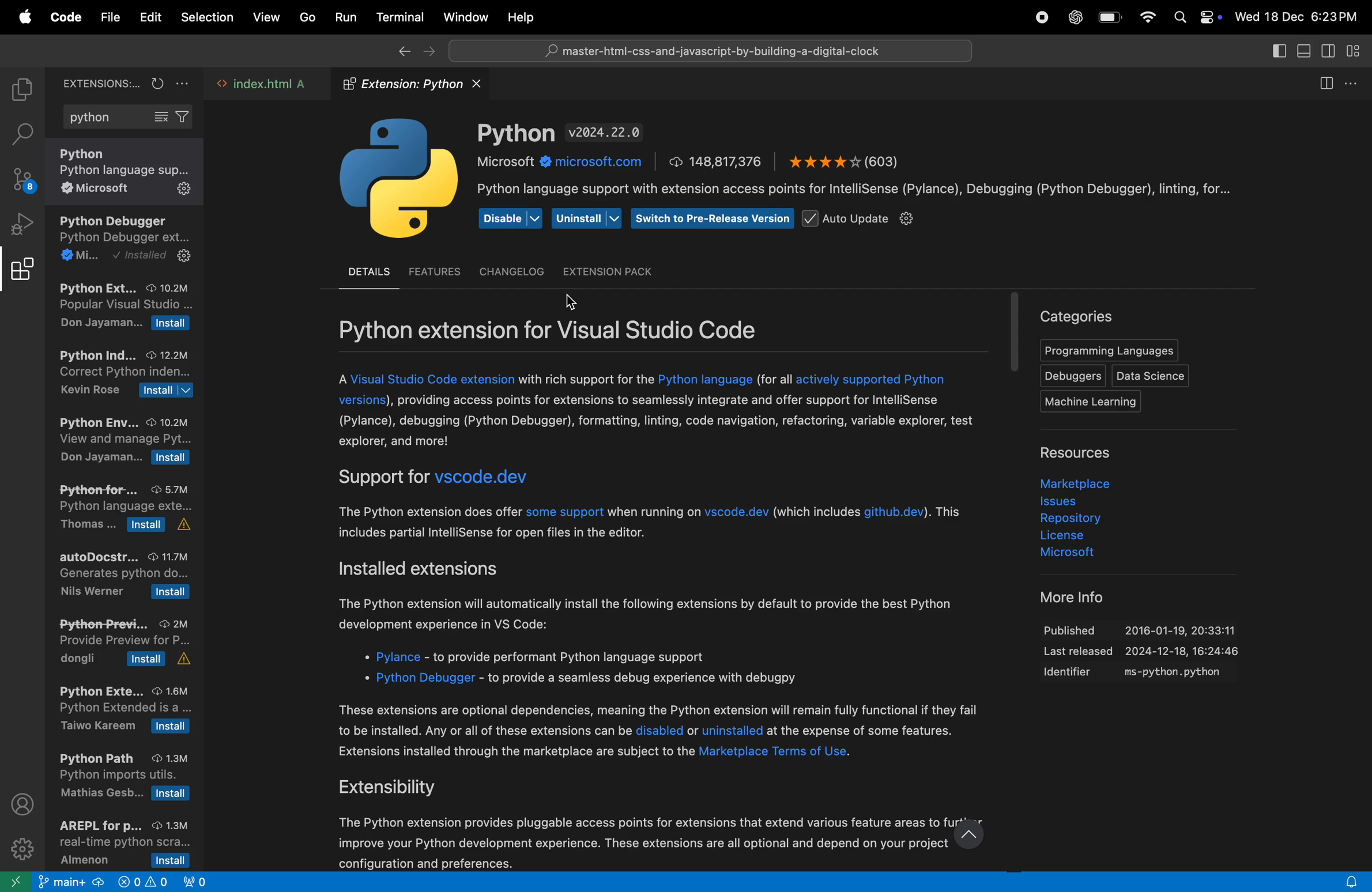  Describe the element at coordinates (1279, 51) in the screenshot. I see `primary side bar` at that location.